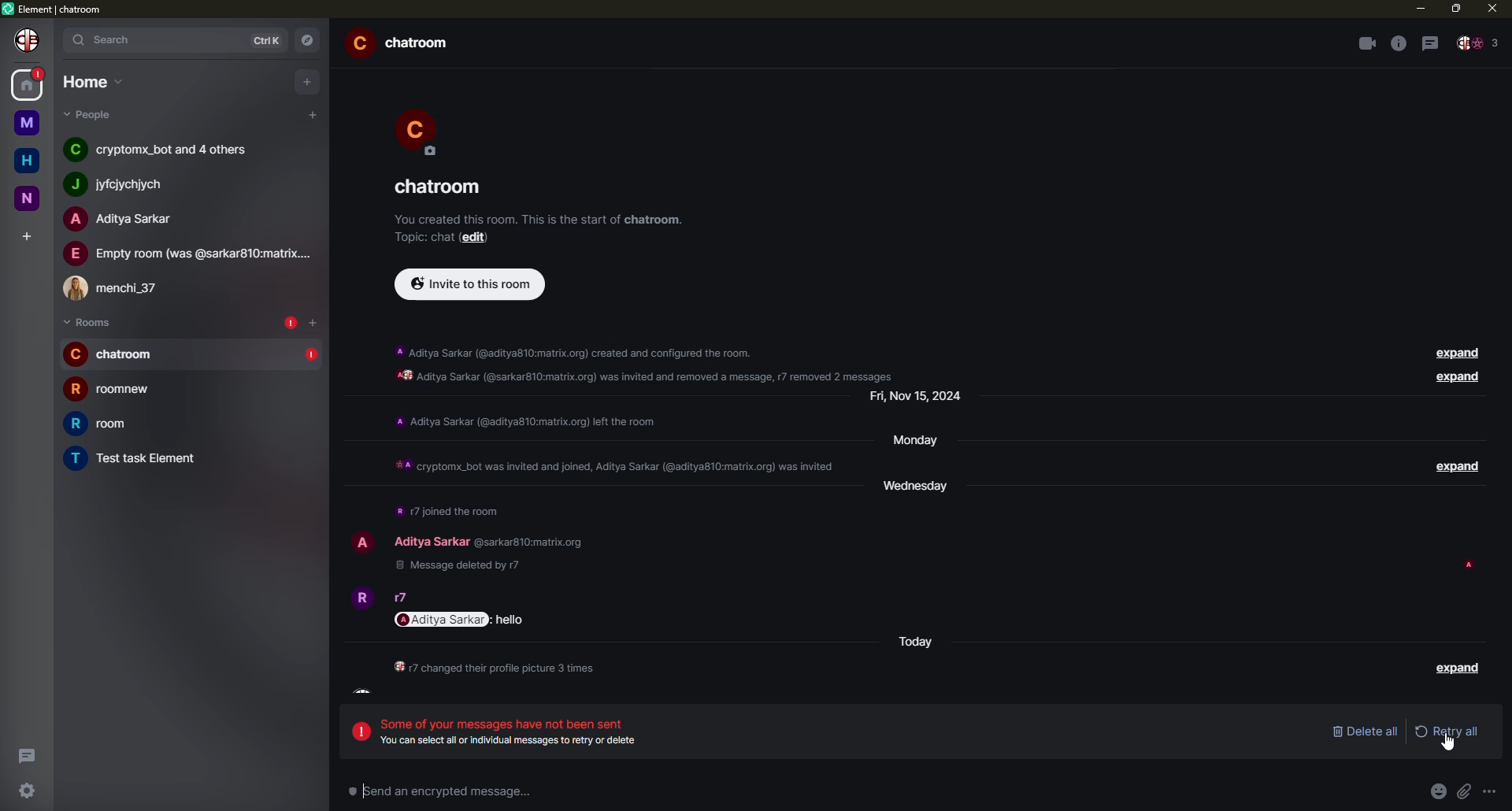 This screenshot has width=1512, height=811. What do you see at coordinates (313, 321) in the screenshot?
I see `add` at bounding box center [313, 321].